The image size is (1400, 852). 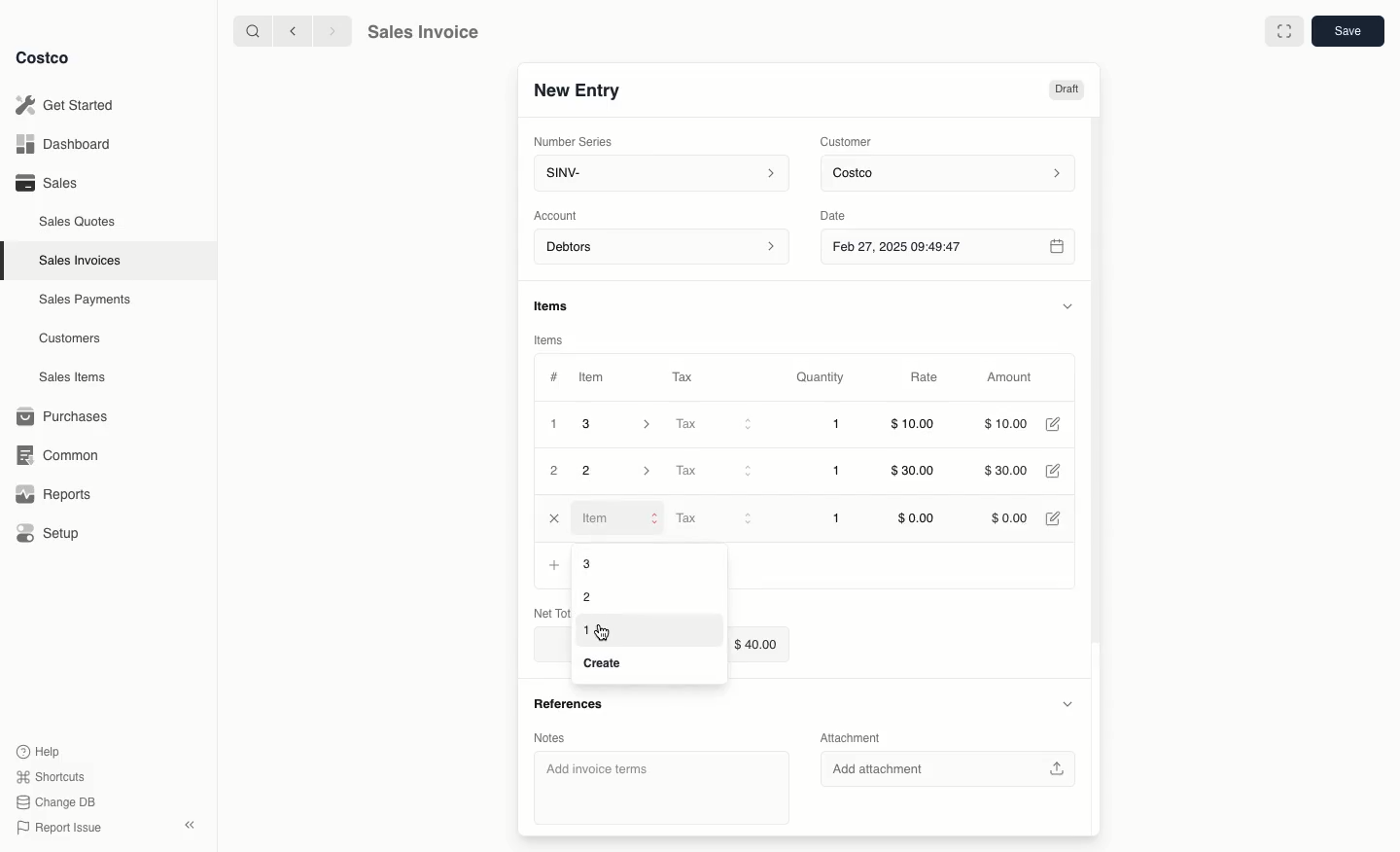 I want to click on Create, so click(x=606, y=665).